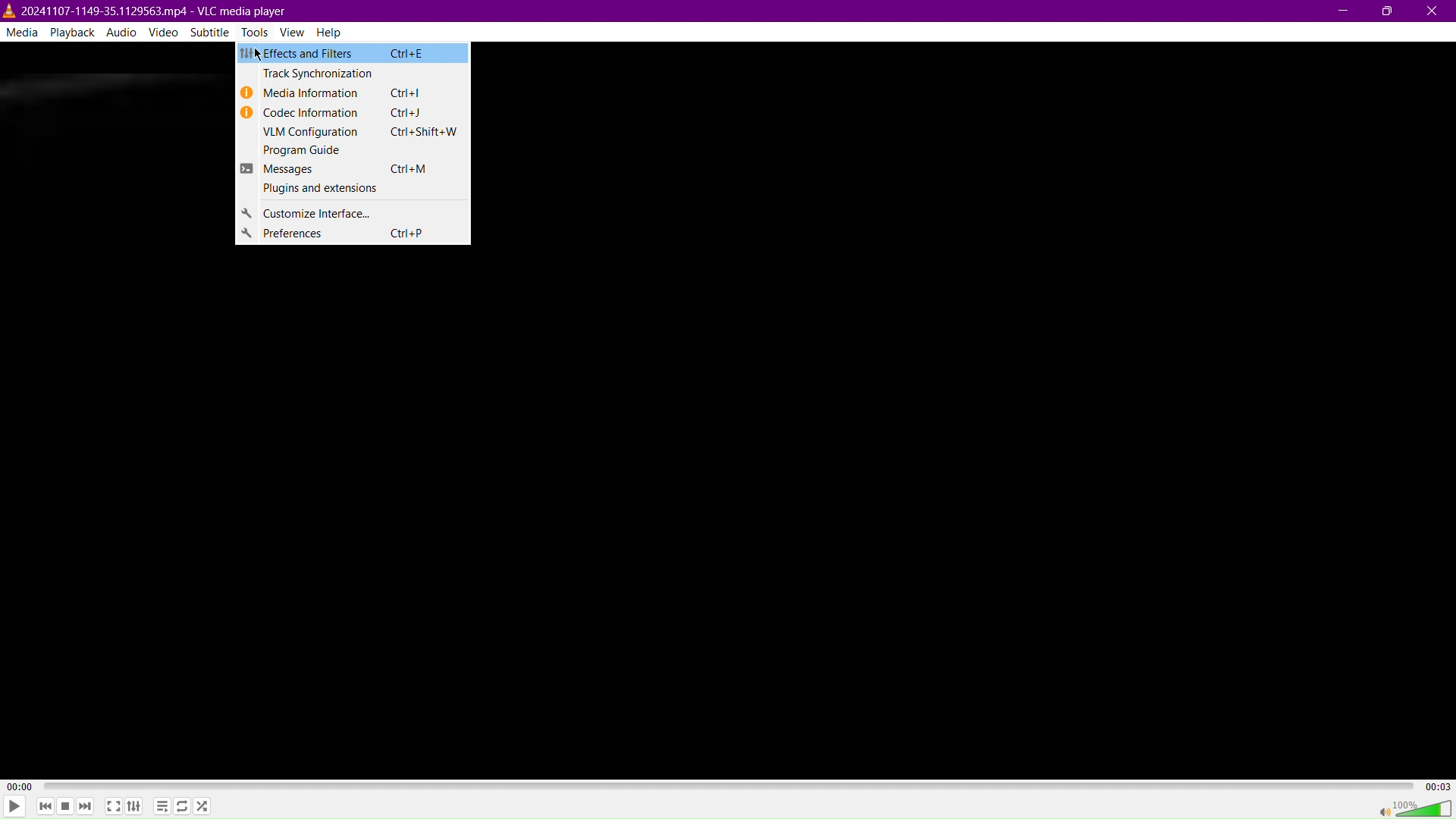  What do you see at coordinates (353, 169) in the screenshot?
I see `Messages` at bounding box center [353, 169].